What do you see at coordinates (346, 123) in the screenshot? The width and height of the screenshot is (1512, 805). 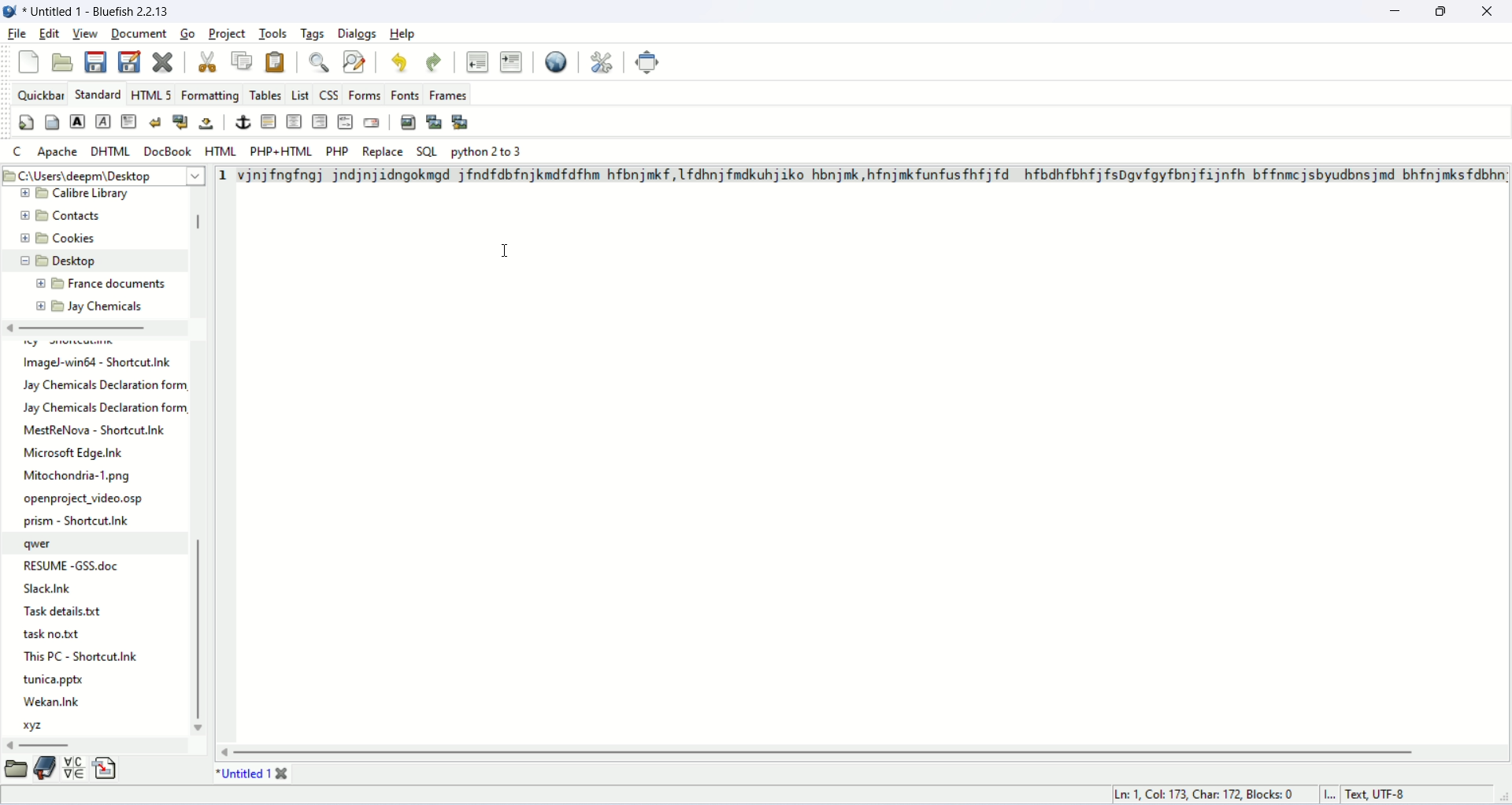 I see `HTML` at bounding box center [346, 123].